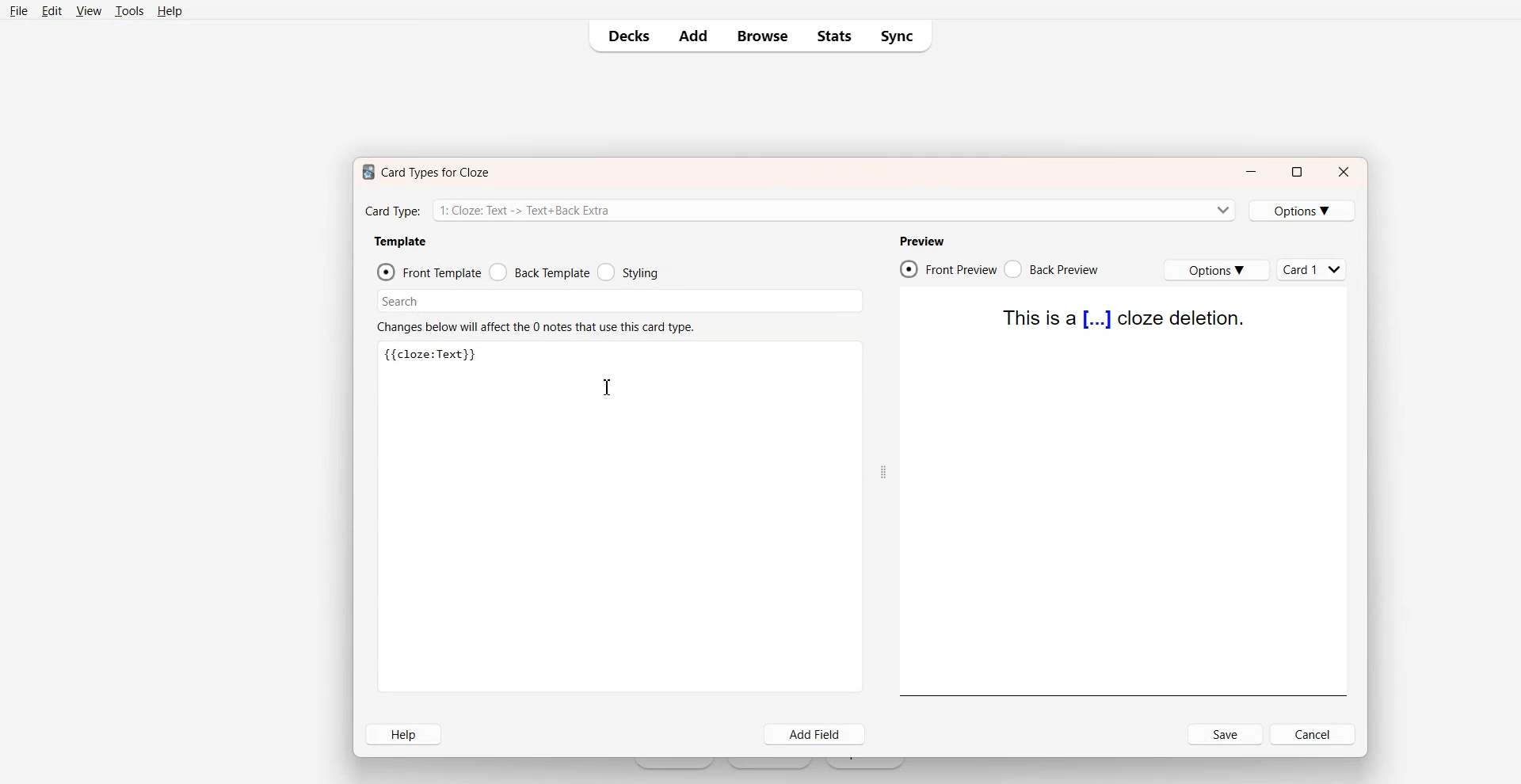  I want to click on Text 4, so click(1125, 318).